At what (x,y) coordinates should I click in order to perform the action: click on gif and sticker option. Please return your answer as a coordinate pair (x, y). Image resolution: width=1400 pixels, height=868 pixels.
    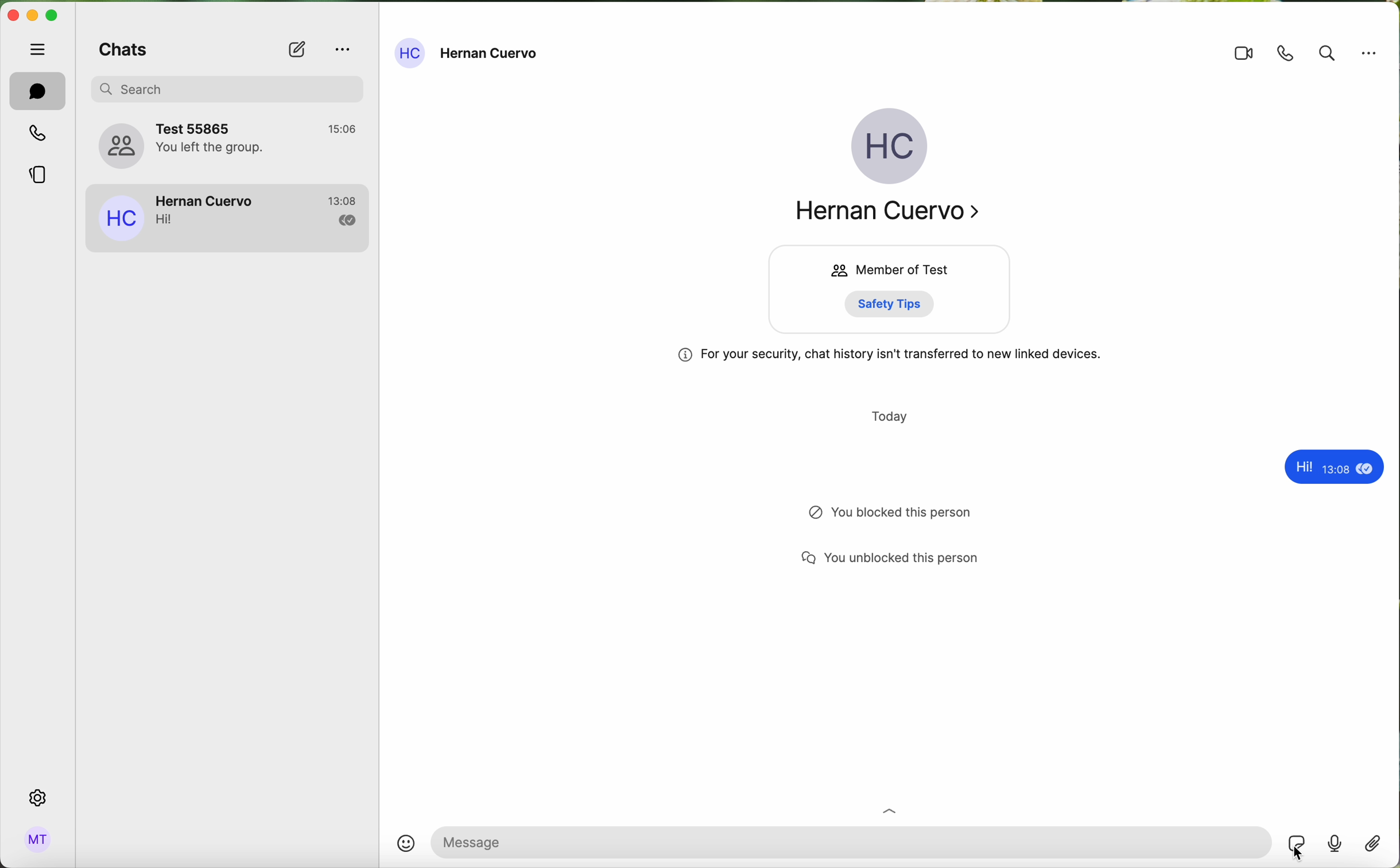
    Looking at the image, I should click on (1297, 843).